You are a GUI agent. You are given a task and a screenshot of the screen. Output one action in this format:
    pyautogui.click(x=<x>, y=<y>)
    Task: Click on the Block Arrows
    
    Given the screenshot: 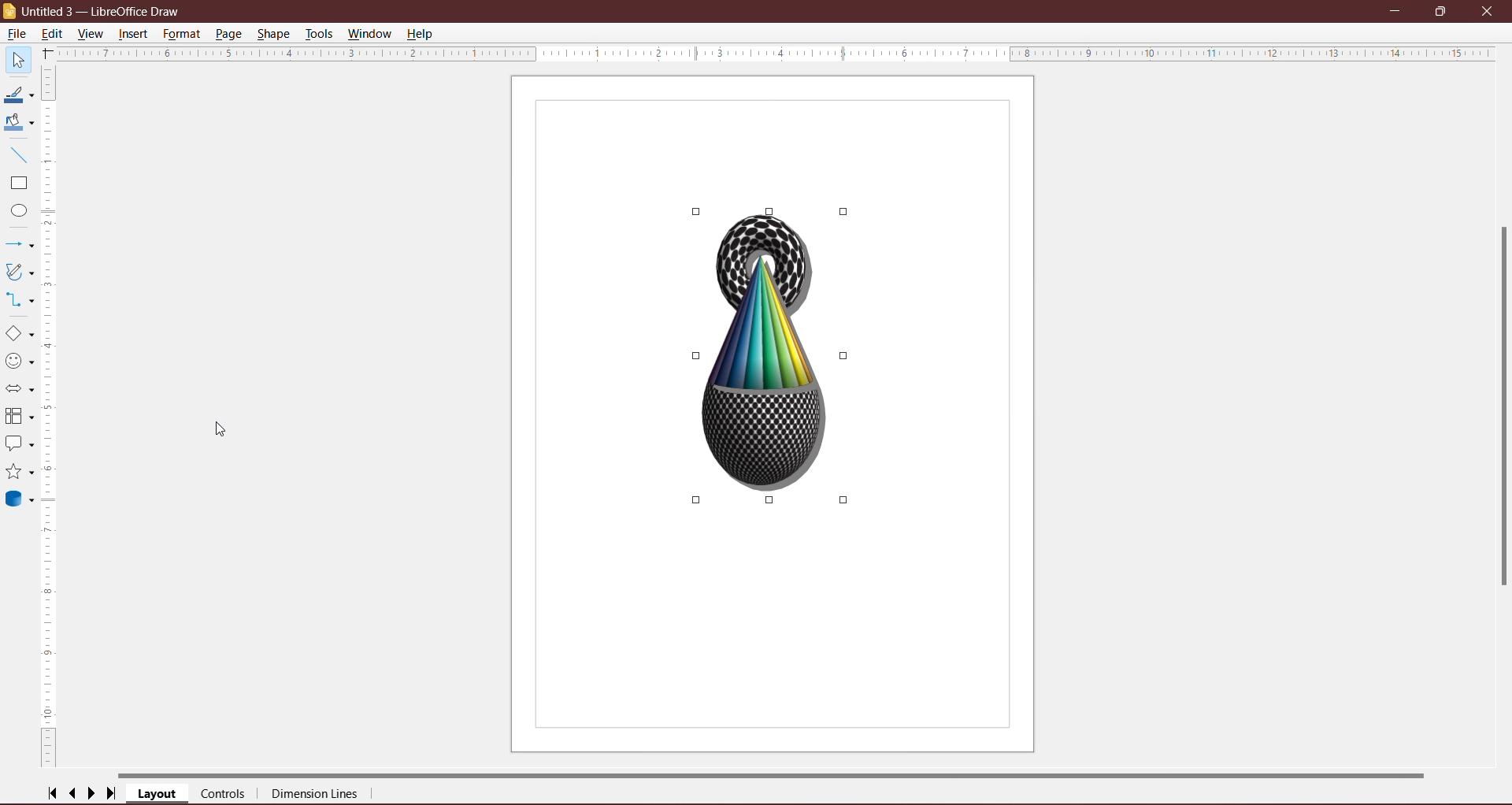 What is the action you would take?
    pyautogui.click(x=20, y=388)
    